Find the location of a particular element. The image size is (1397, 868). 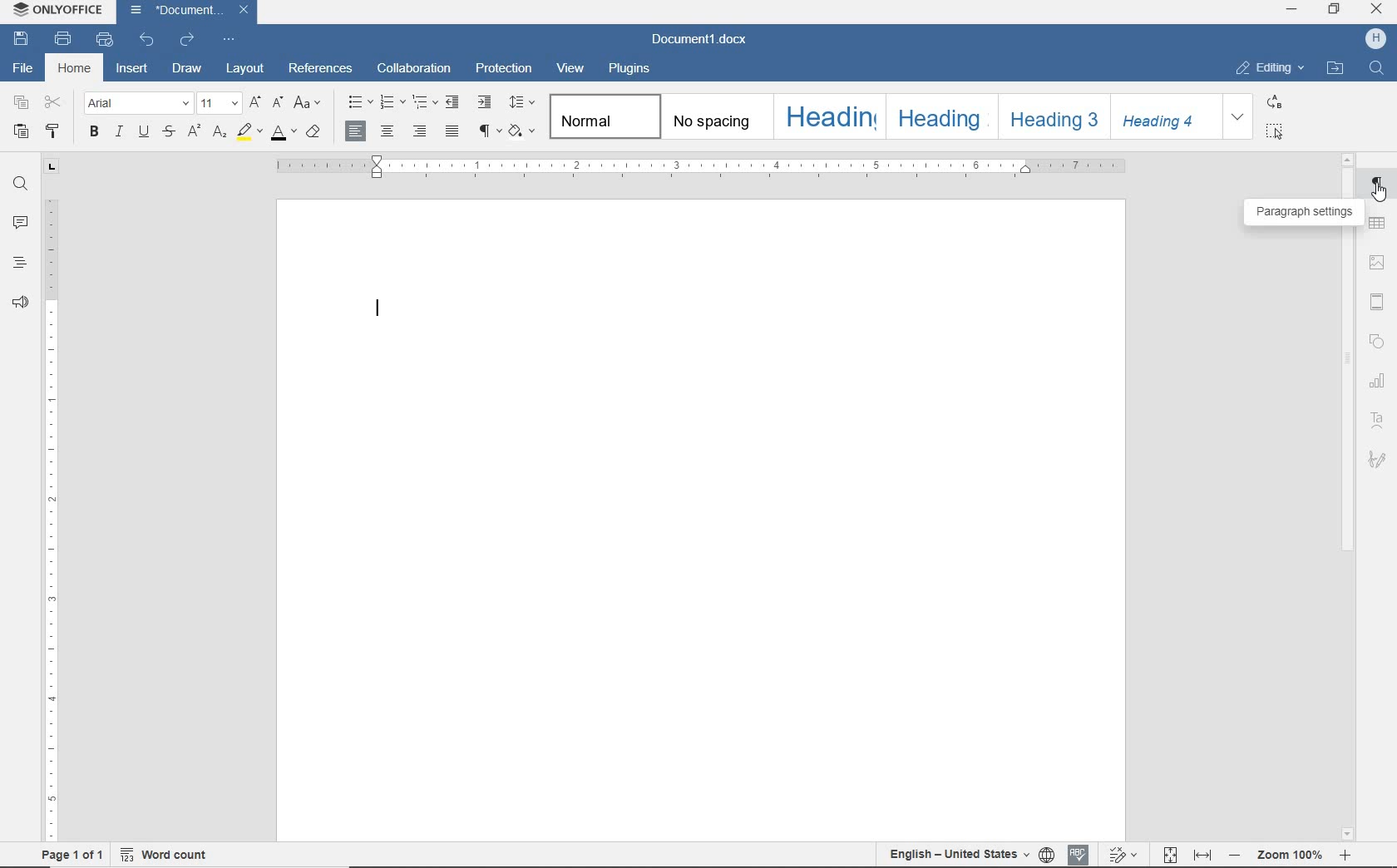

word count is located at coordinates (165, 856).